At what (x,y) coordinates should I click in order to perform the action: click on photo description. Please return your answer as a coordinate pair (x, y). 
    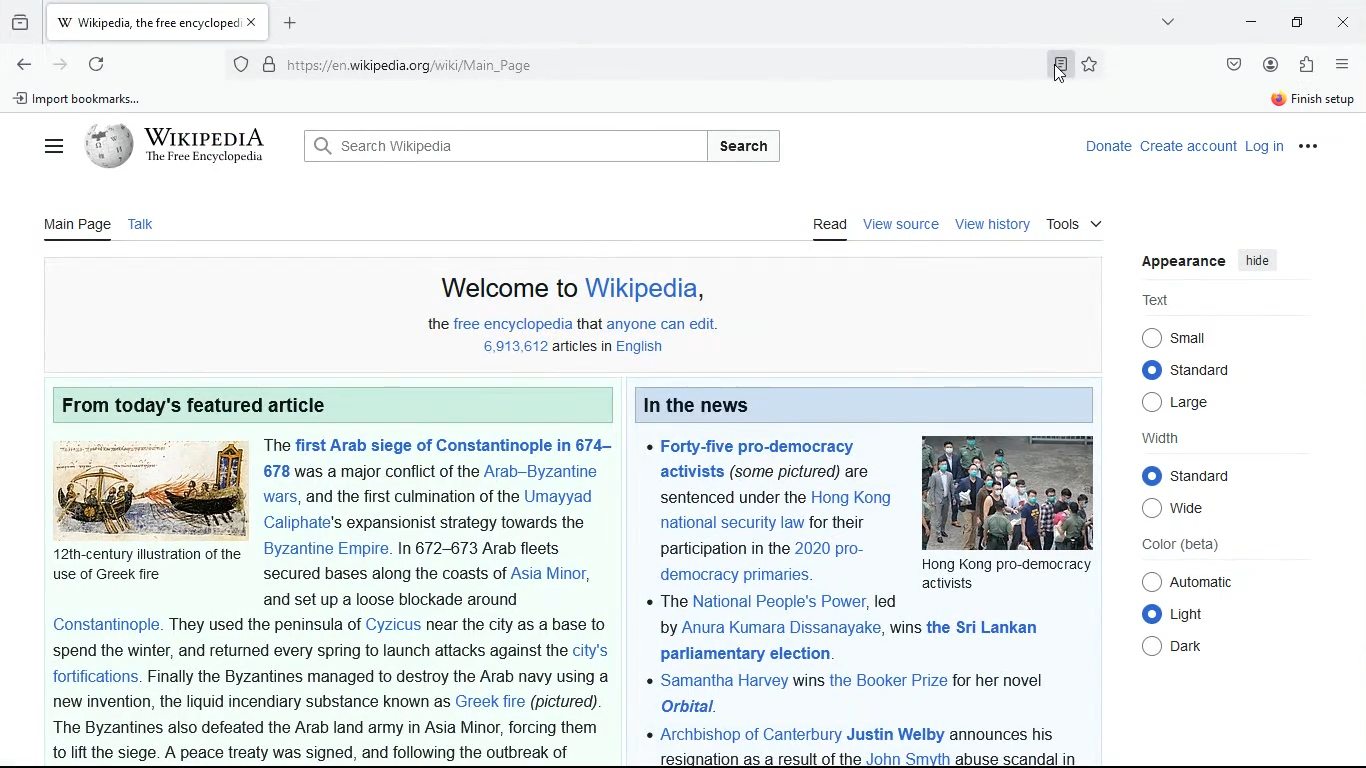
    Looking at the image, I should click on (146, 564).